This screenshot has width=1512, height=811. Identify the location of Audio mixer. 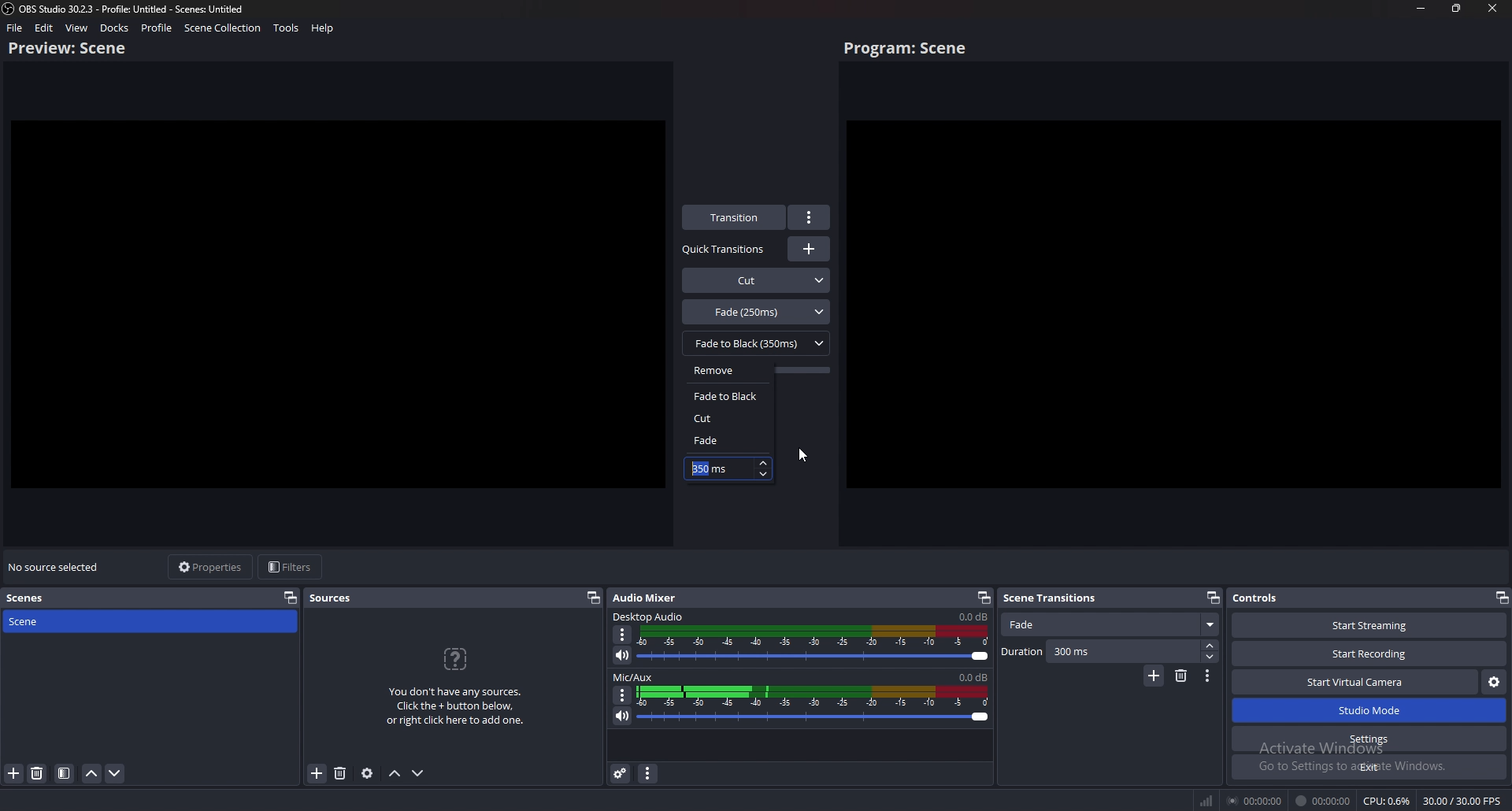
(649, 596).